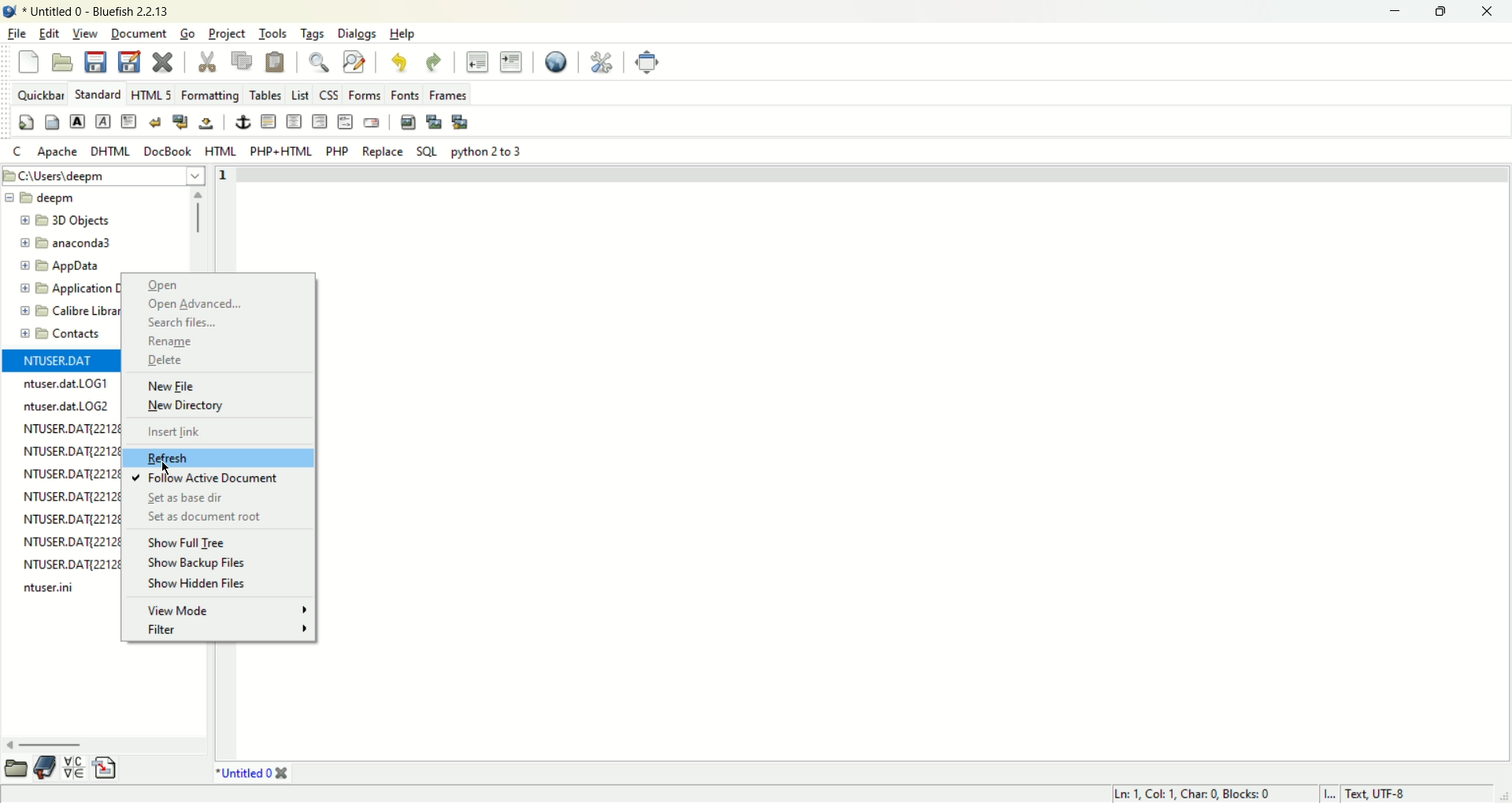 The width and height of the screenshot is (1512, 803). Describe the element at coordinates (286, 773) in the screenshot. I see `close` at that location.